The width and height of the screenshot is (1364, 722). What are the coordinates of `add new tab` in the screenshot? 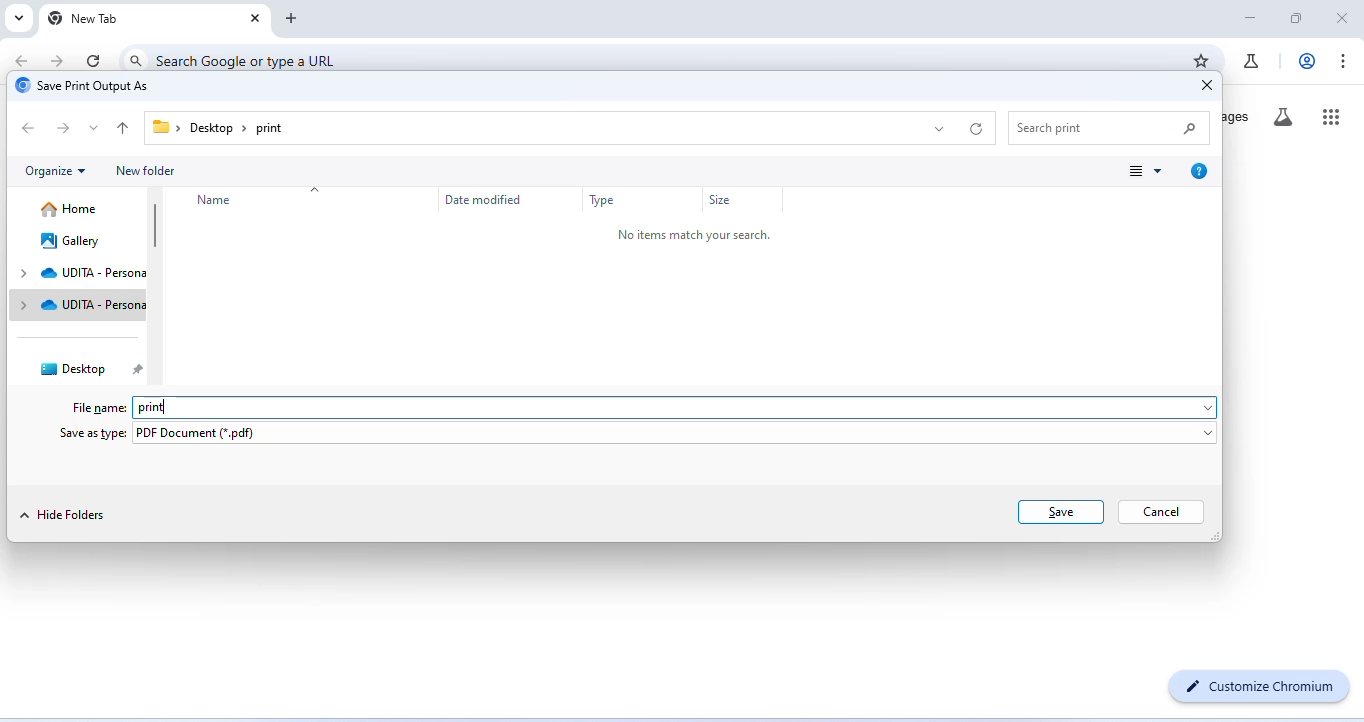 It's located at (292, 20).